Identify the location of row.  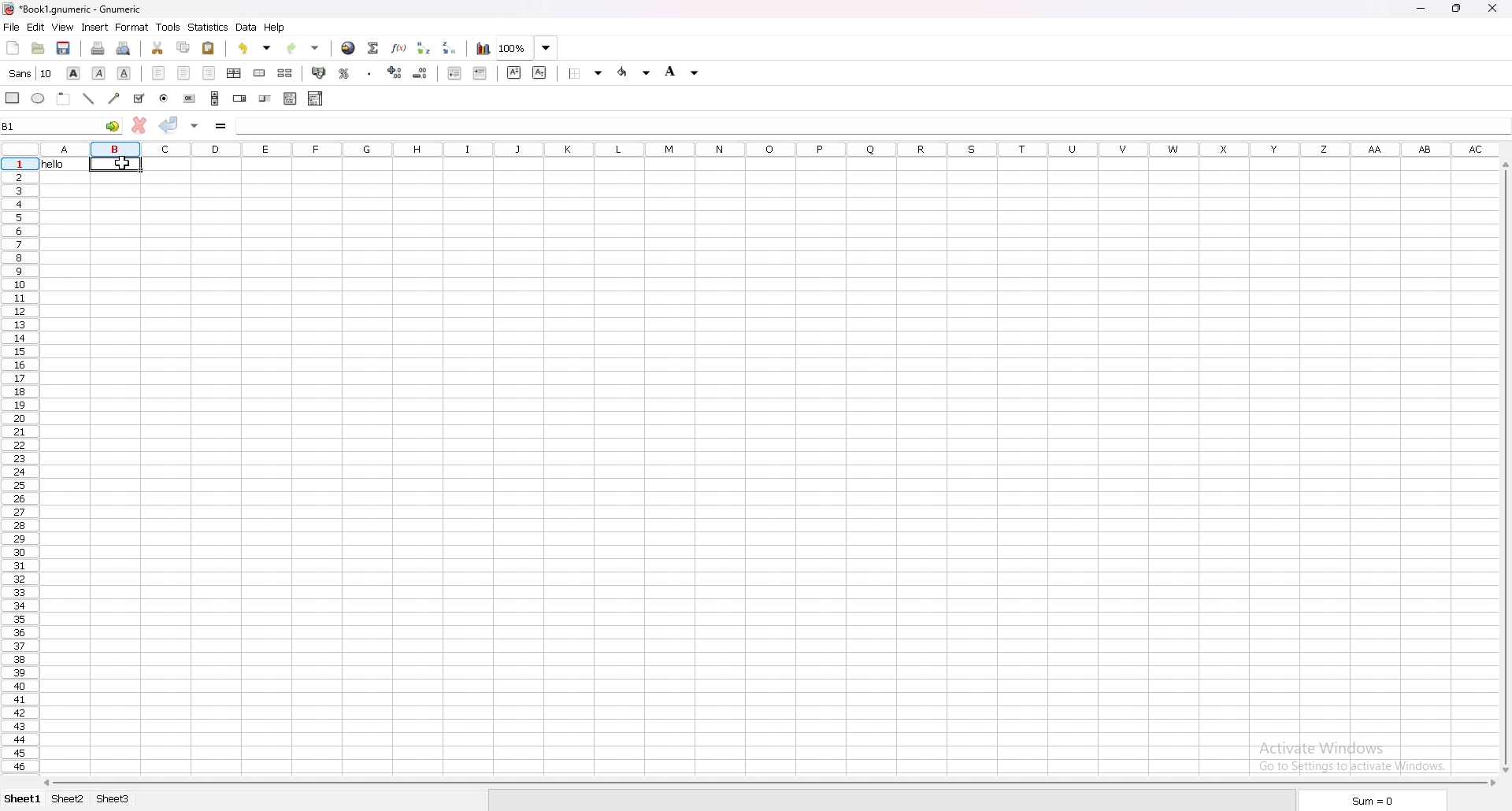
(18, 468).